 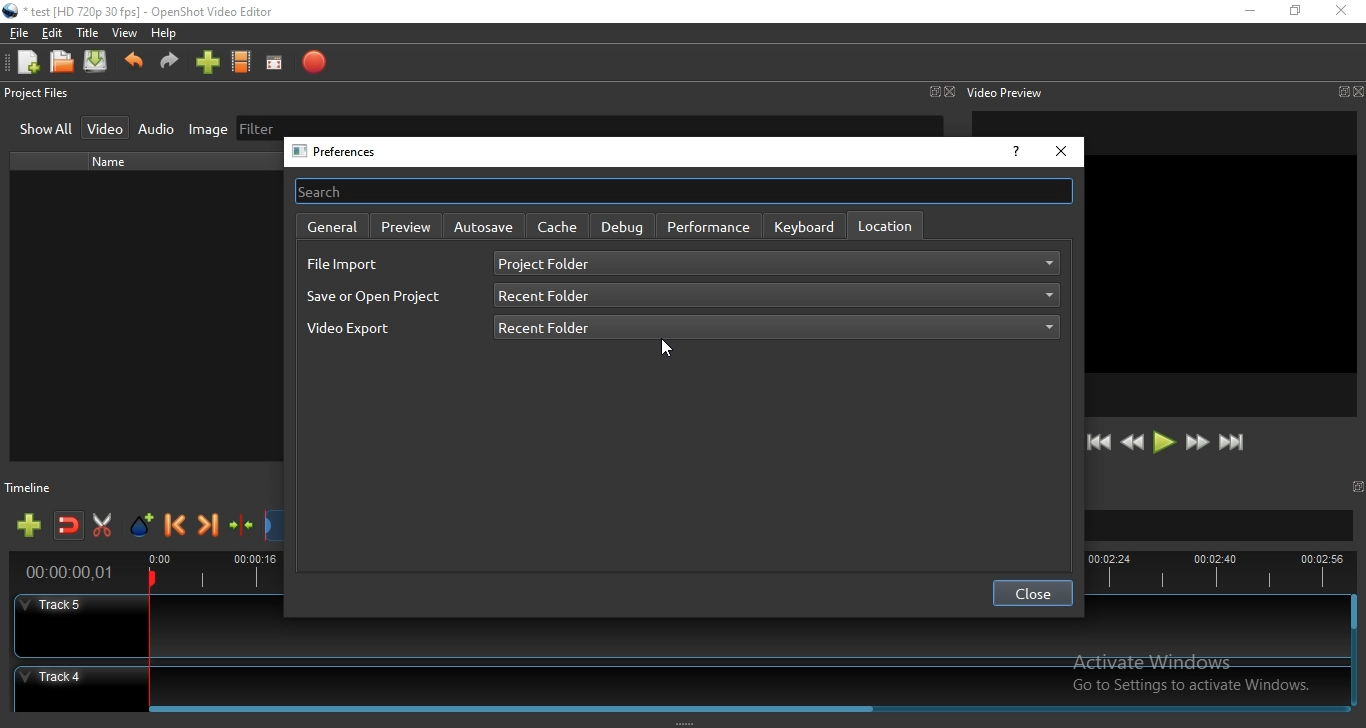 What do you see at coordinates (1354, 615) in the screenshot?
I see `vertical scroll bar` at bounding box center [1354, 615].